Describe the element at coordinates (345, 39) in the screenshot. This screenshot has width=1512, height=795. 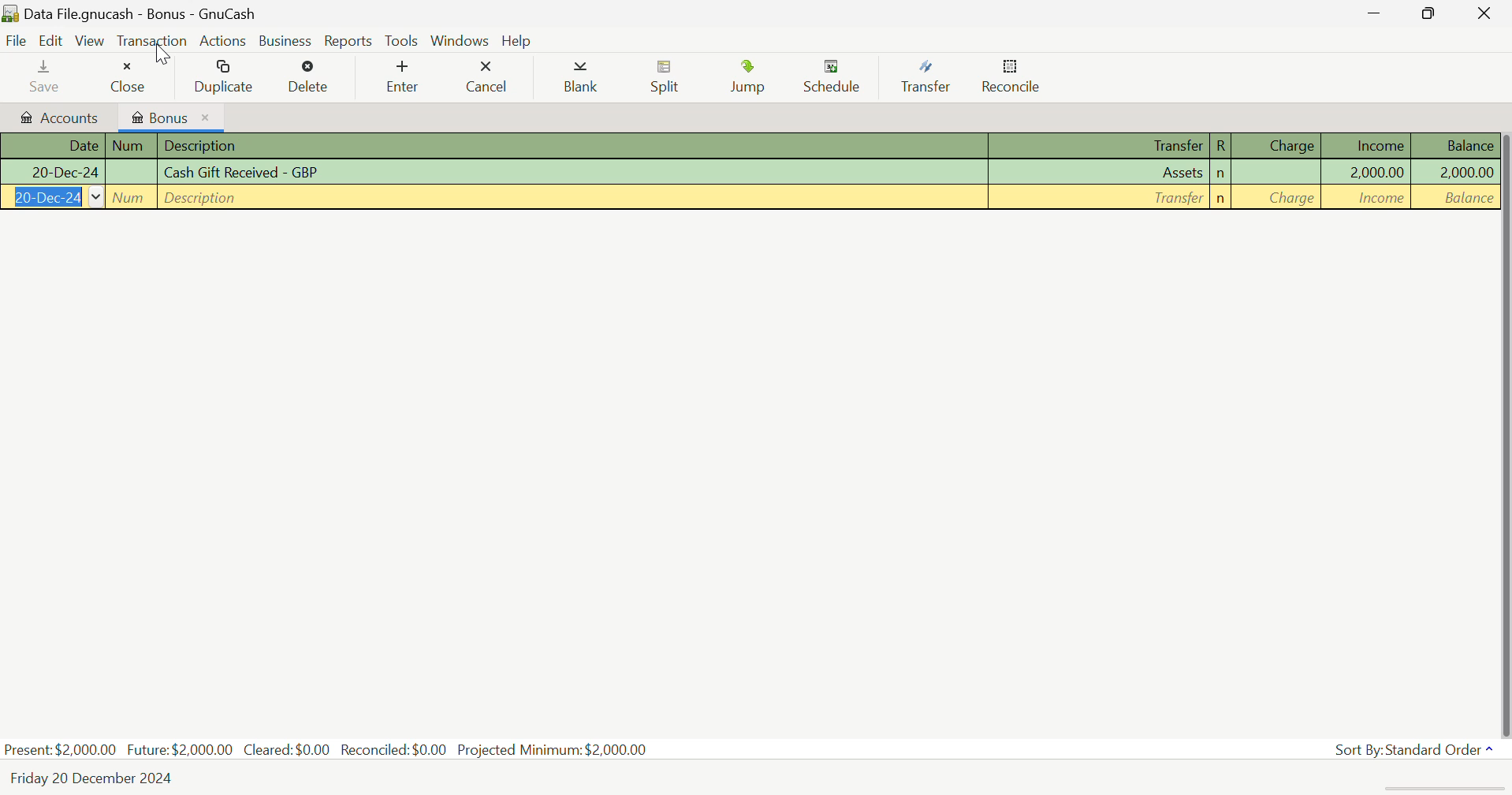
I see `Reports` at that location.